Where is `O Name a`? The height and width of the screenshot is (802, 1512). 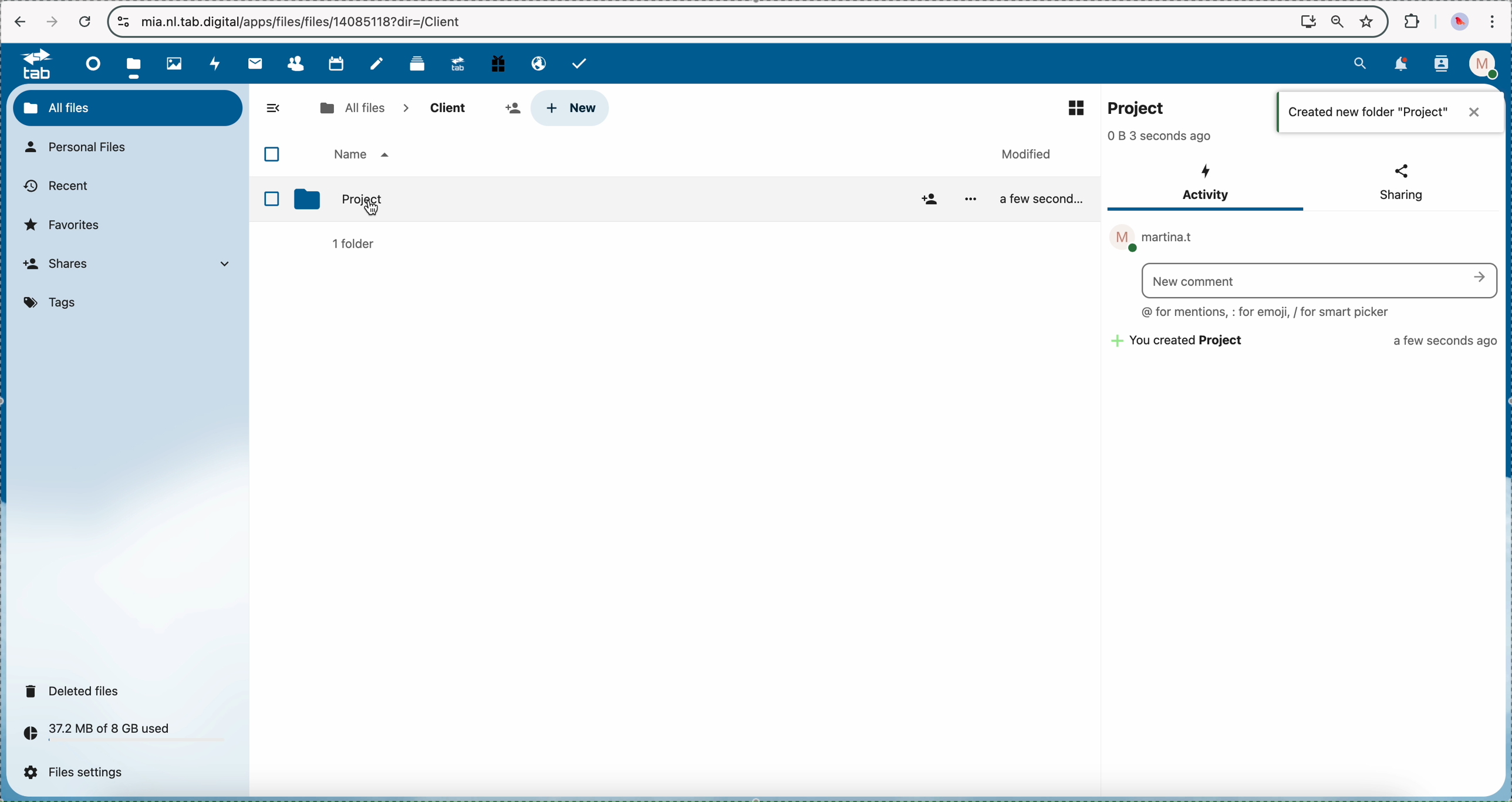 O Name a is located at coordinates (366, 154).